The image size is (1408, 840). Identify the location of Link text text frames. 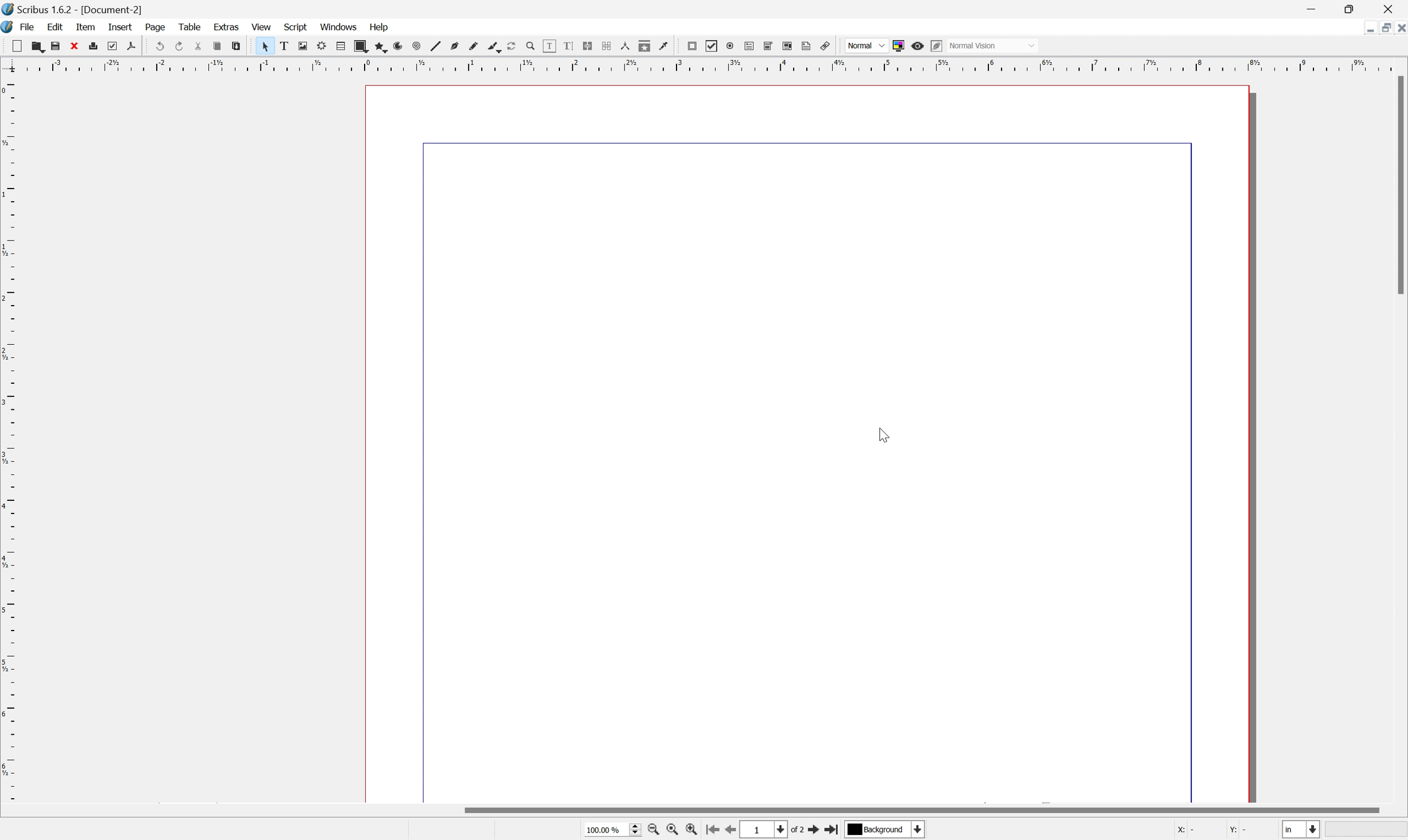
(590, 46).